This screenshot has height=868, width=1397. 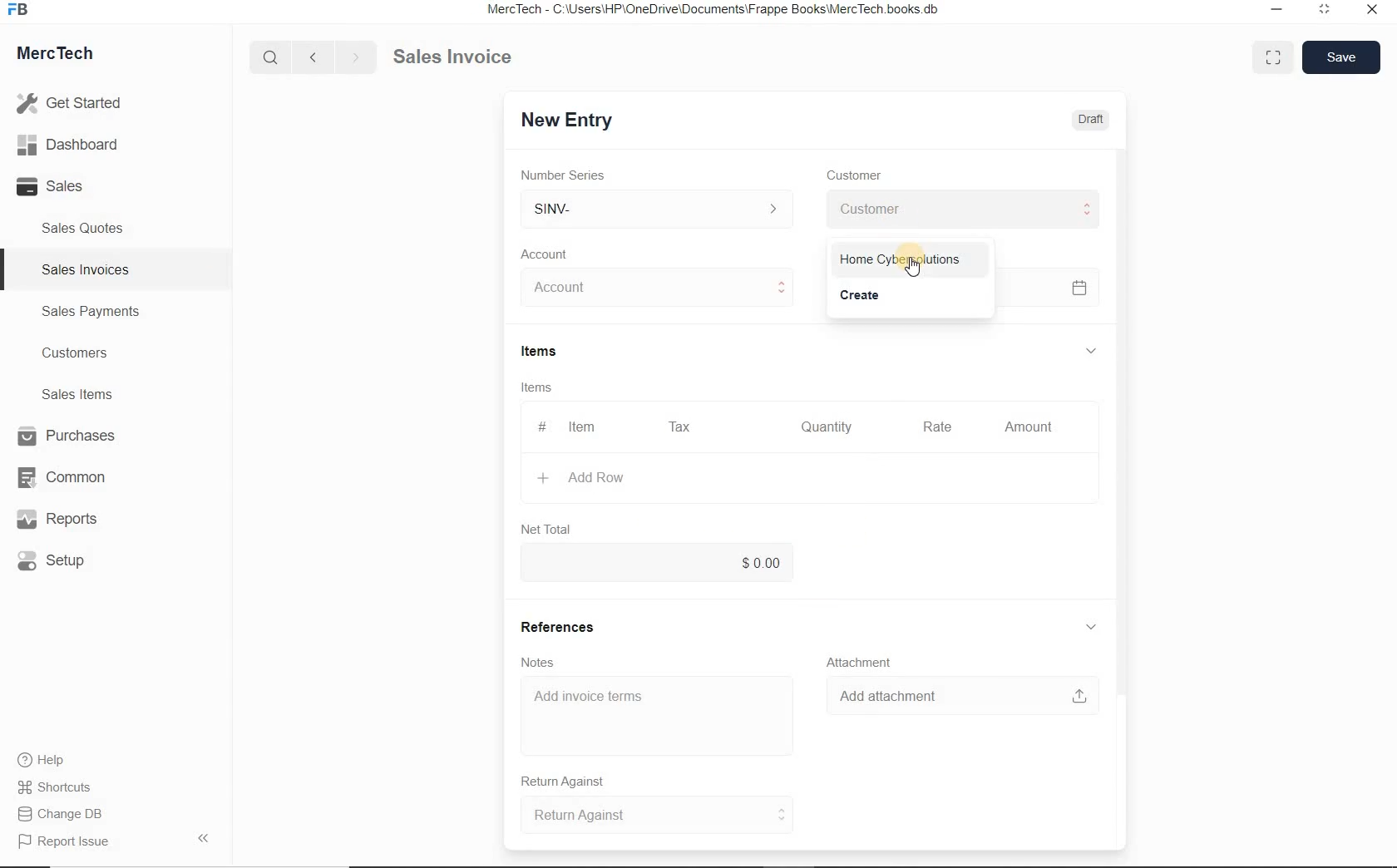 What do you see at coordinates (272, 57) in the screenshot?
I see `Search` at bounding box center [272, 57].